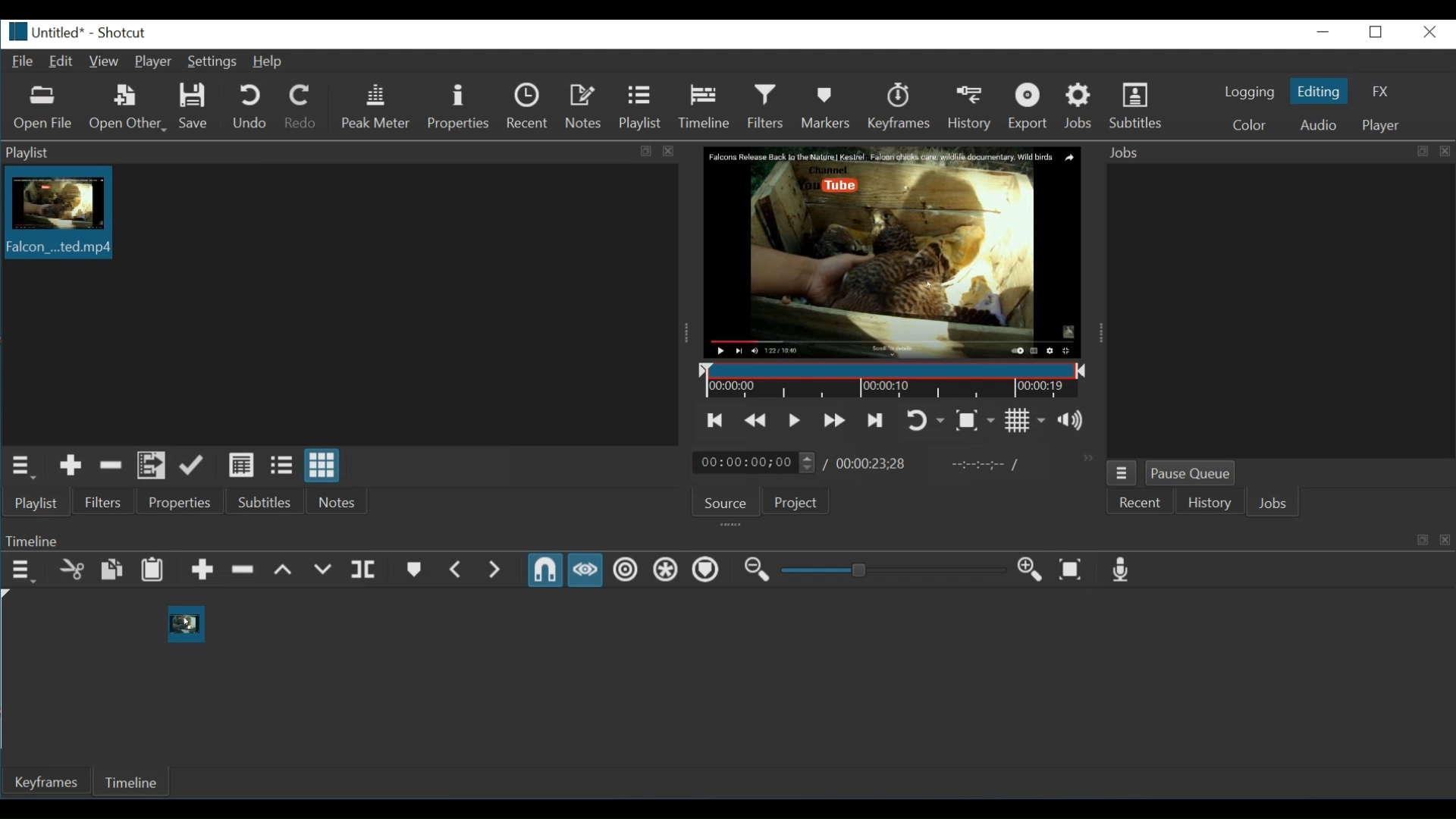 The width and height of the screenshot is (1456, 819). I want to click on View, so click(103, 62).